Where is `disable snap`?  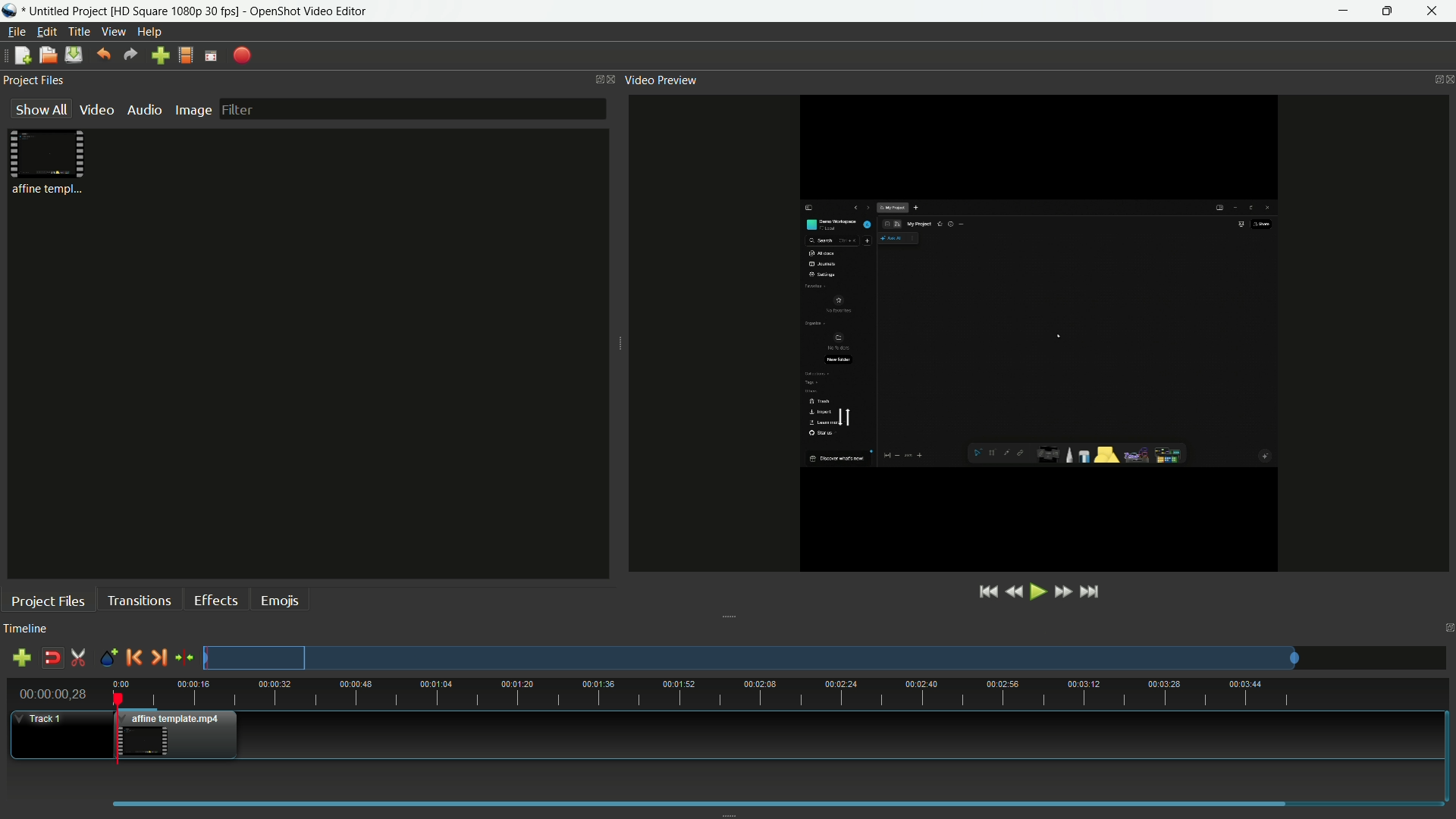 disable snap is located at coordinates (52, 658).